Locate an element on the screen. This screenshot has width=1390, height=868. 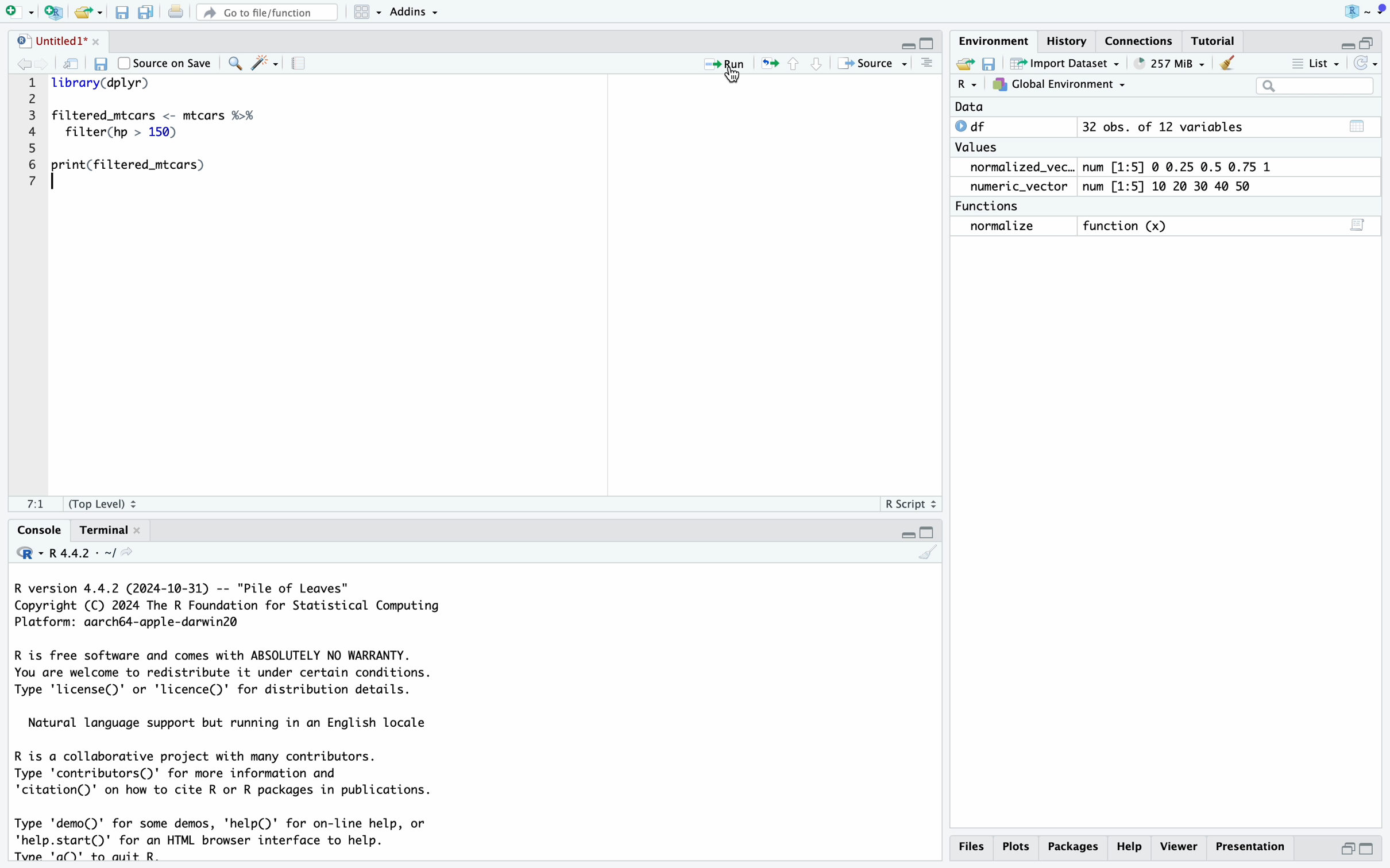
line numbers is located at coordinates (32, 137).